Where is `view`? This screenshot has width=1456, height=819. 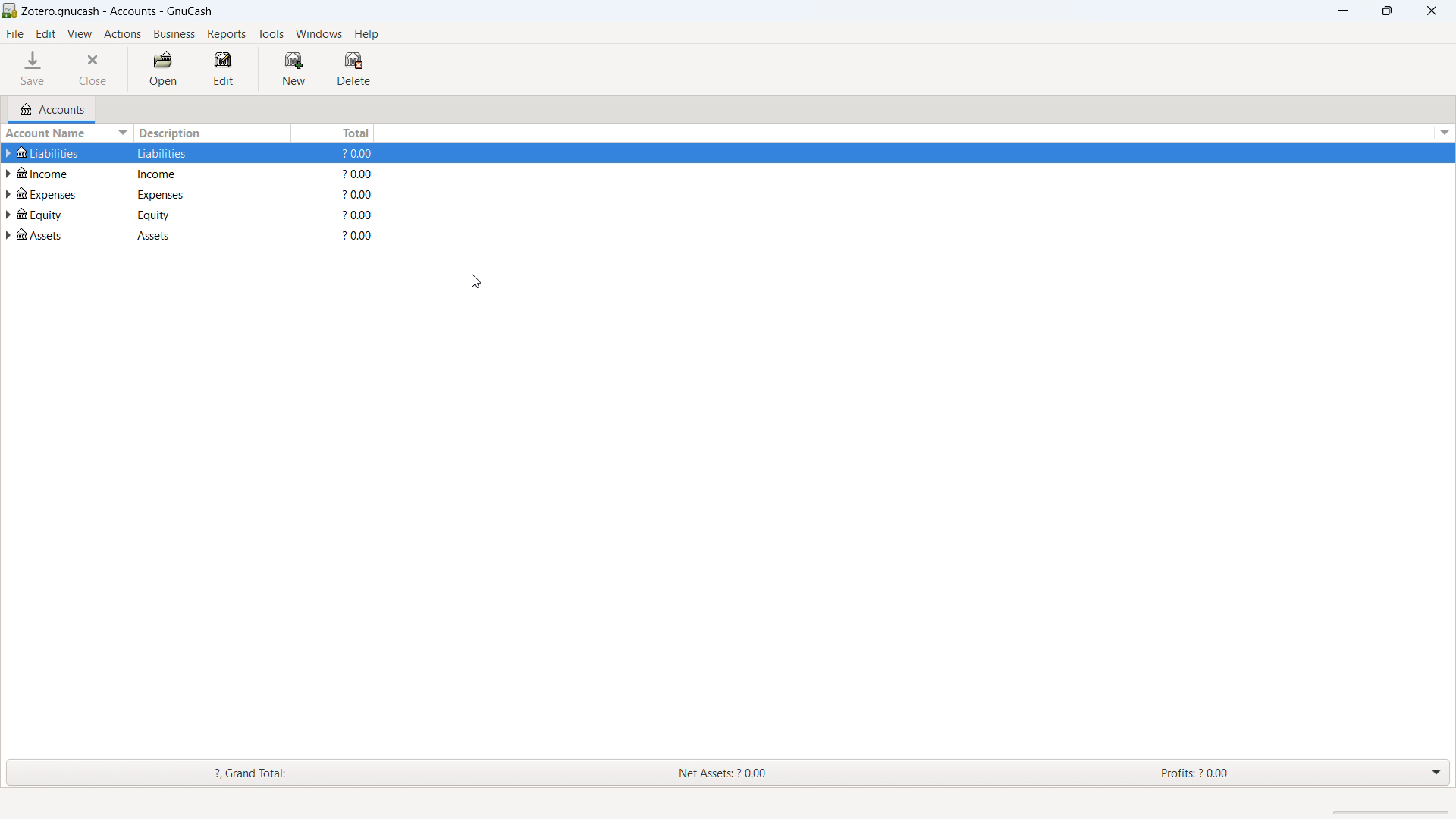
view is located at coordinates (80, 34).